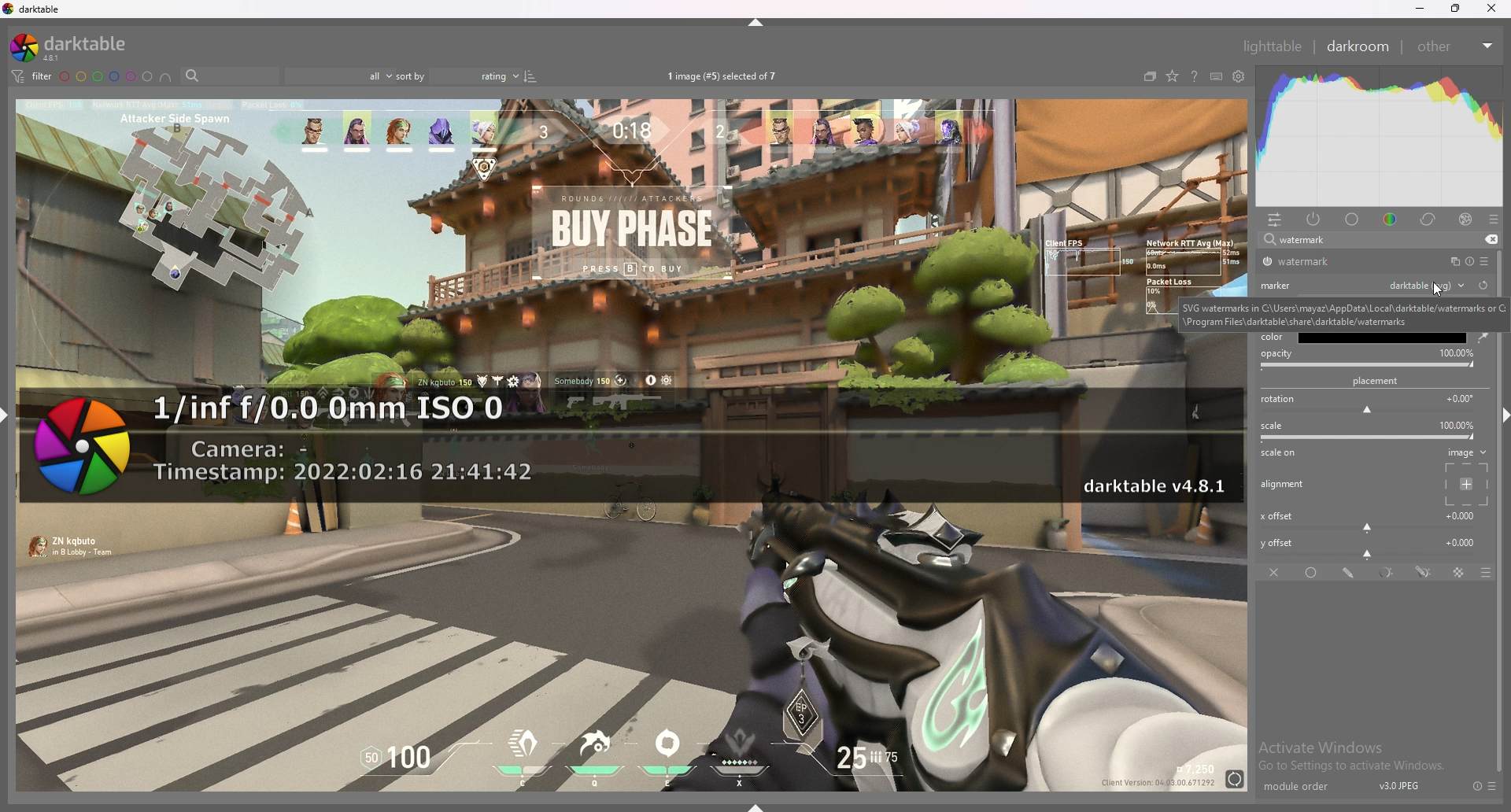 This screenshot has height=812, width=1511. I want to click on resize, so click(1456, 9).